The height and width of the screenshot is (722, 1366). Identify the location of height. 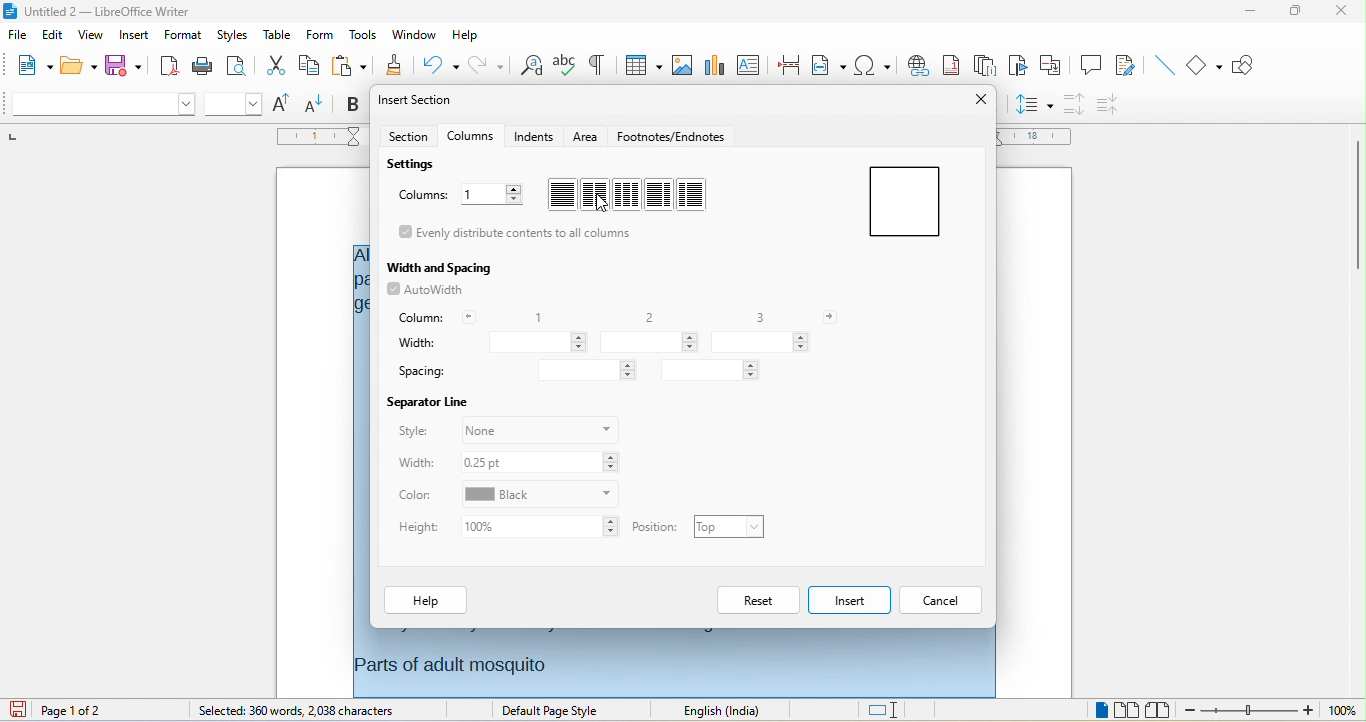
(421, 528).